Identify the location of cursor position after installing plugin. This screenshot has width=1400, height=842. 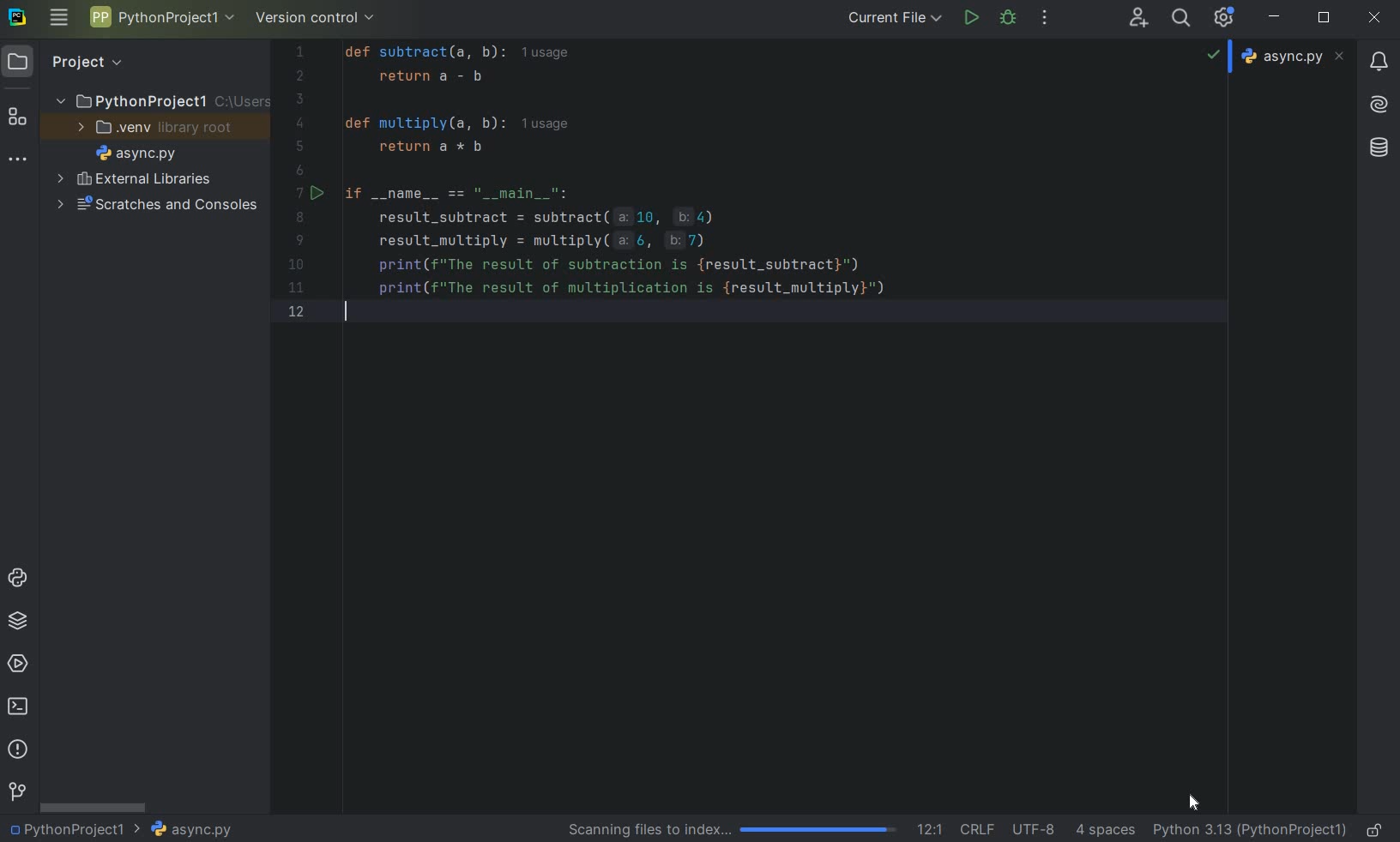
(1195, 803).